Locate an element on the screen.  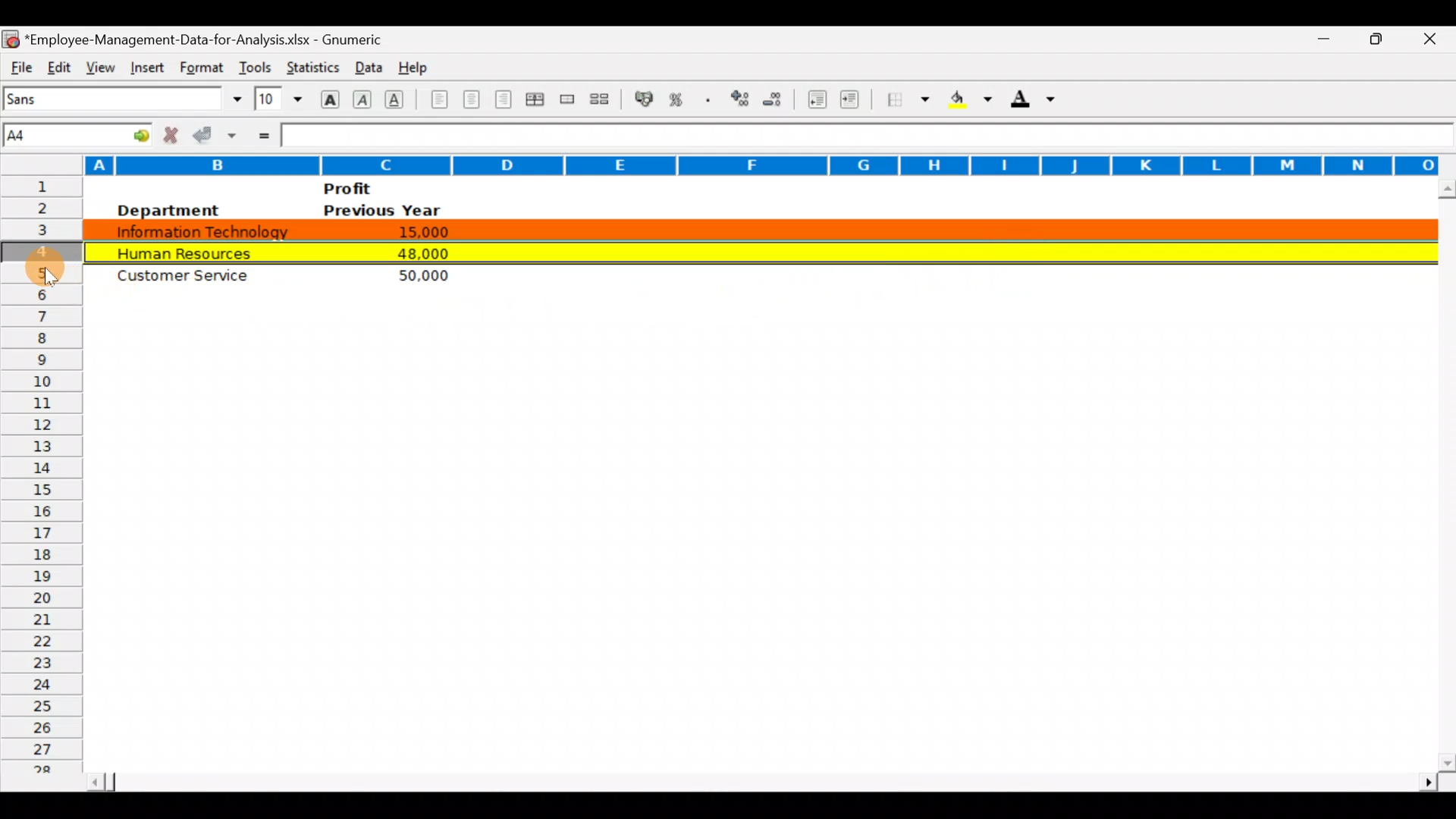
50,000 is located at coordinates (417, 275).